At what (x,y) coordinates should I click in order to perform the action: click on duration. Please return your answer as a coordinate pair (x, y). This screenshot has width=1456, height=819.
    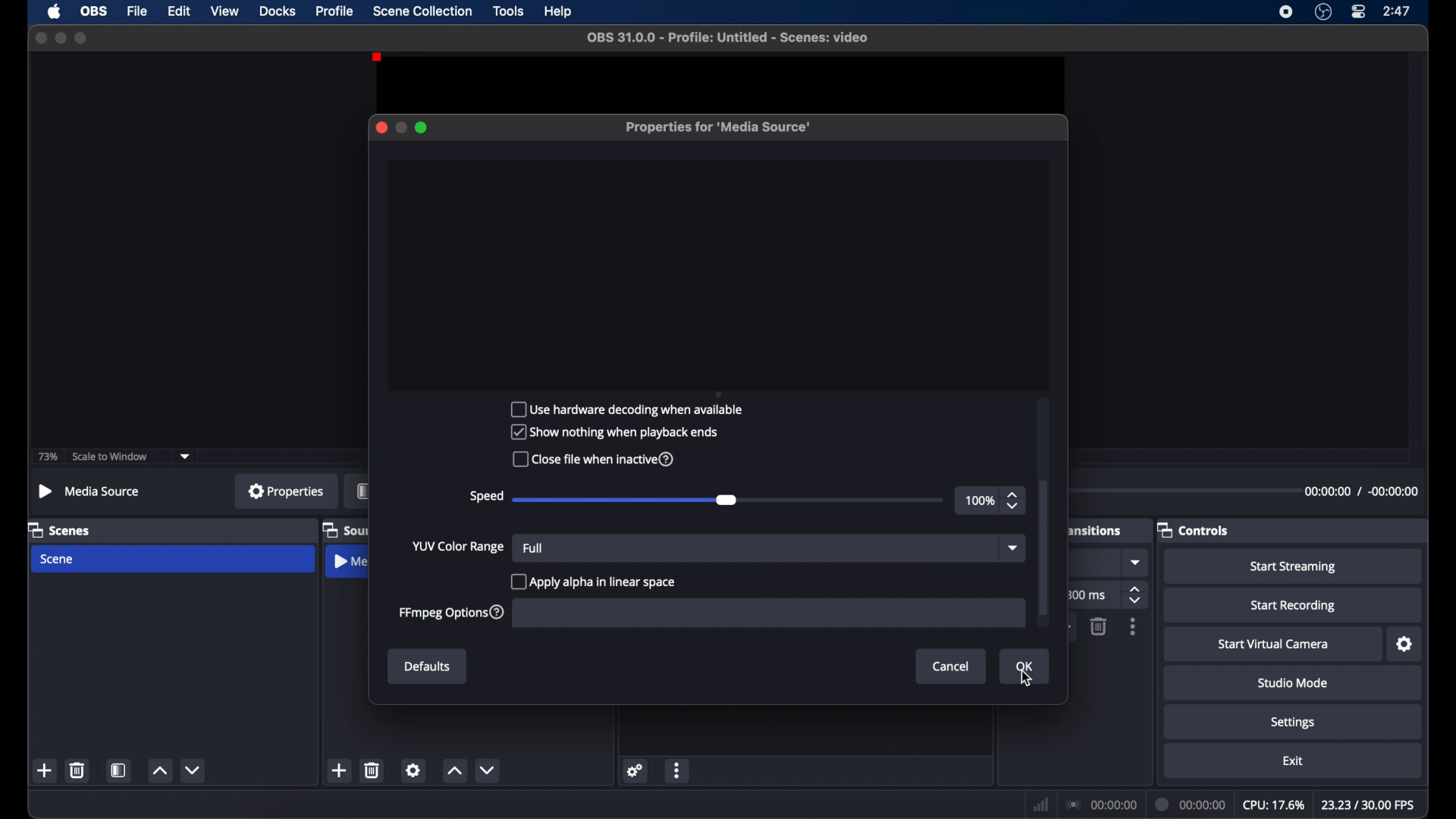
    Looking at the image, I should click on (1360, 491).